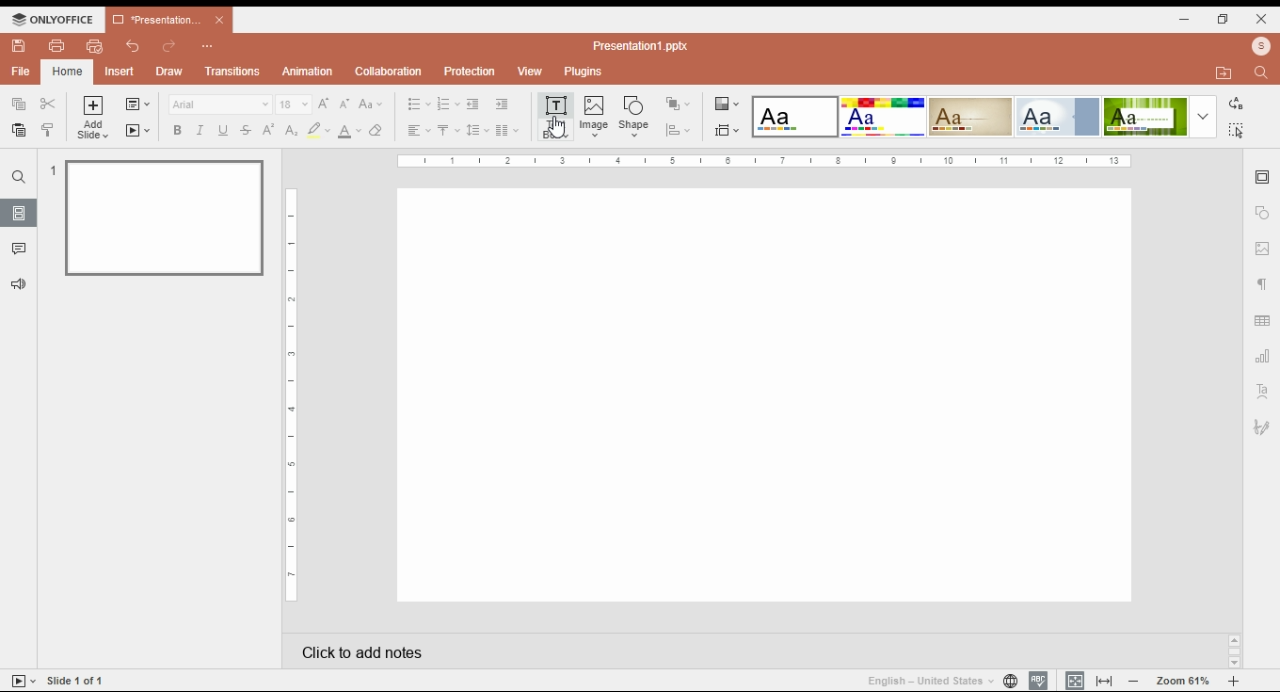 The width and height of the screenshot is (1280, 692). I want to click on cut, so click(48, 103).